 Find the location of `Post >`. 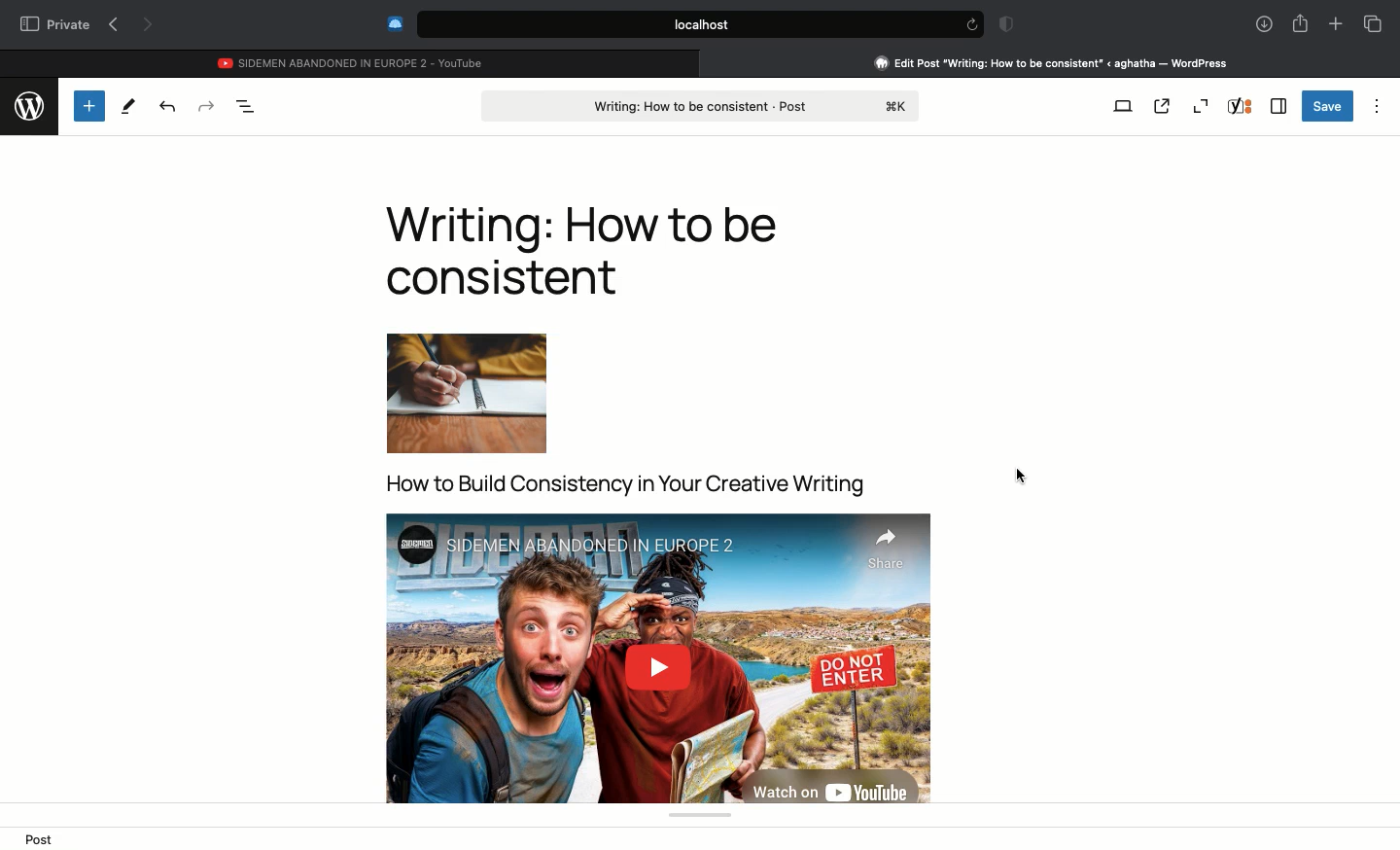

Post > is located at coordinates (48, 838).